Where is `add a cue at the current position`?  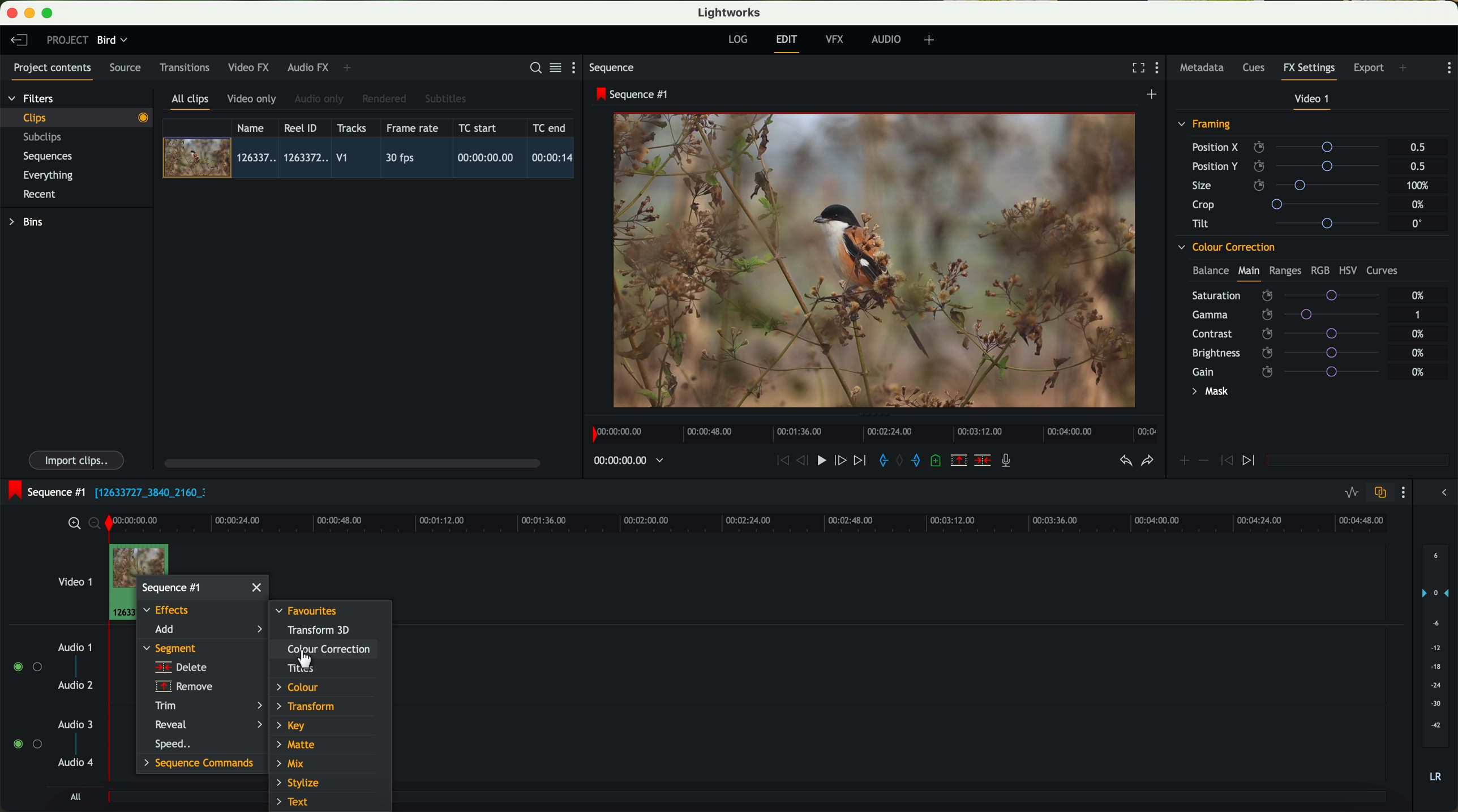
add a cue at the current position is located at coordinates (937, 461).